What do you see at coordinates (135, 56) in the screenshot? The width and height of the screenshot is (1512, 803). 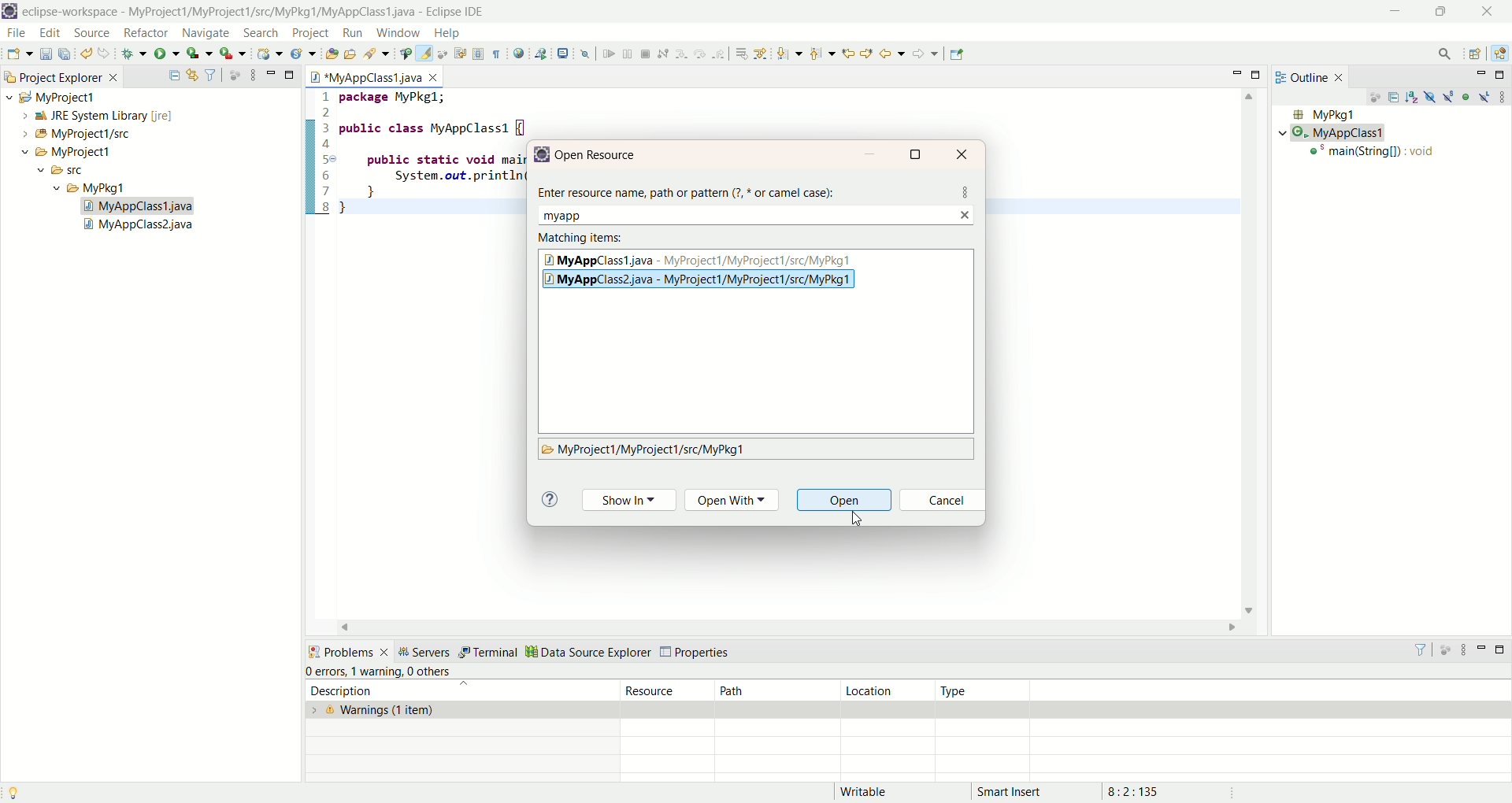 I see `debug` at bounding box center [135, 56].